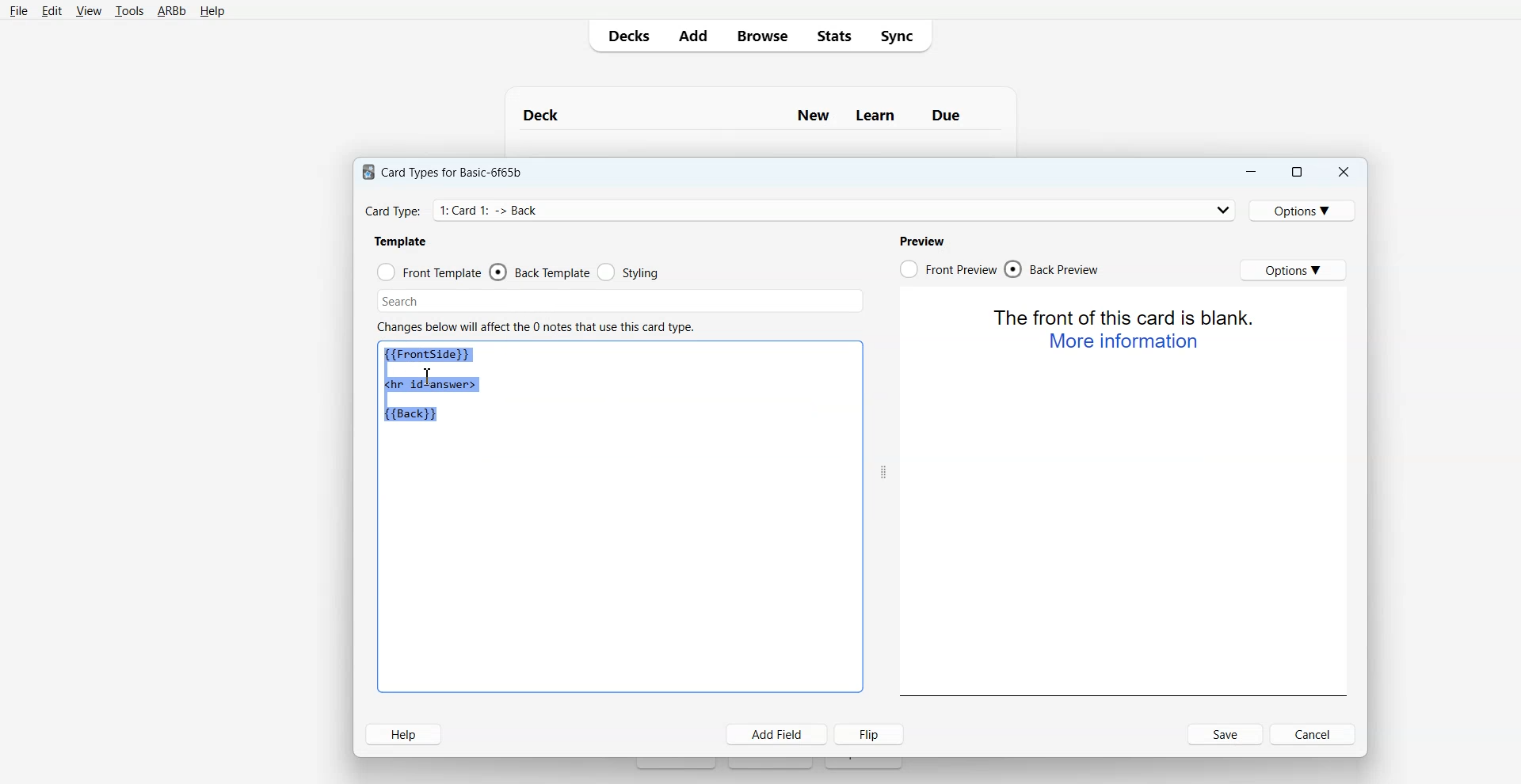 This screenshot has width=1521, height=784. I want to click on Flip, so click(871, 734).